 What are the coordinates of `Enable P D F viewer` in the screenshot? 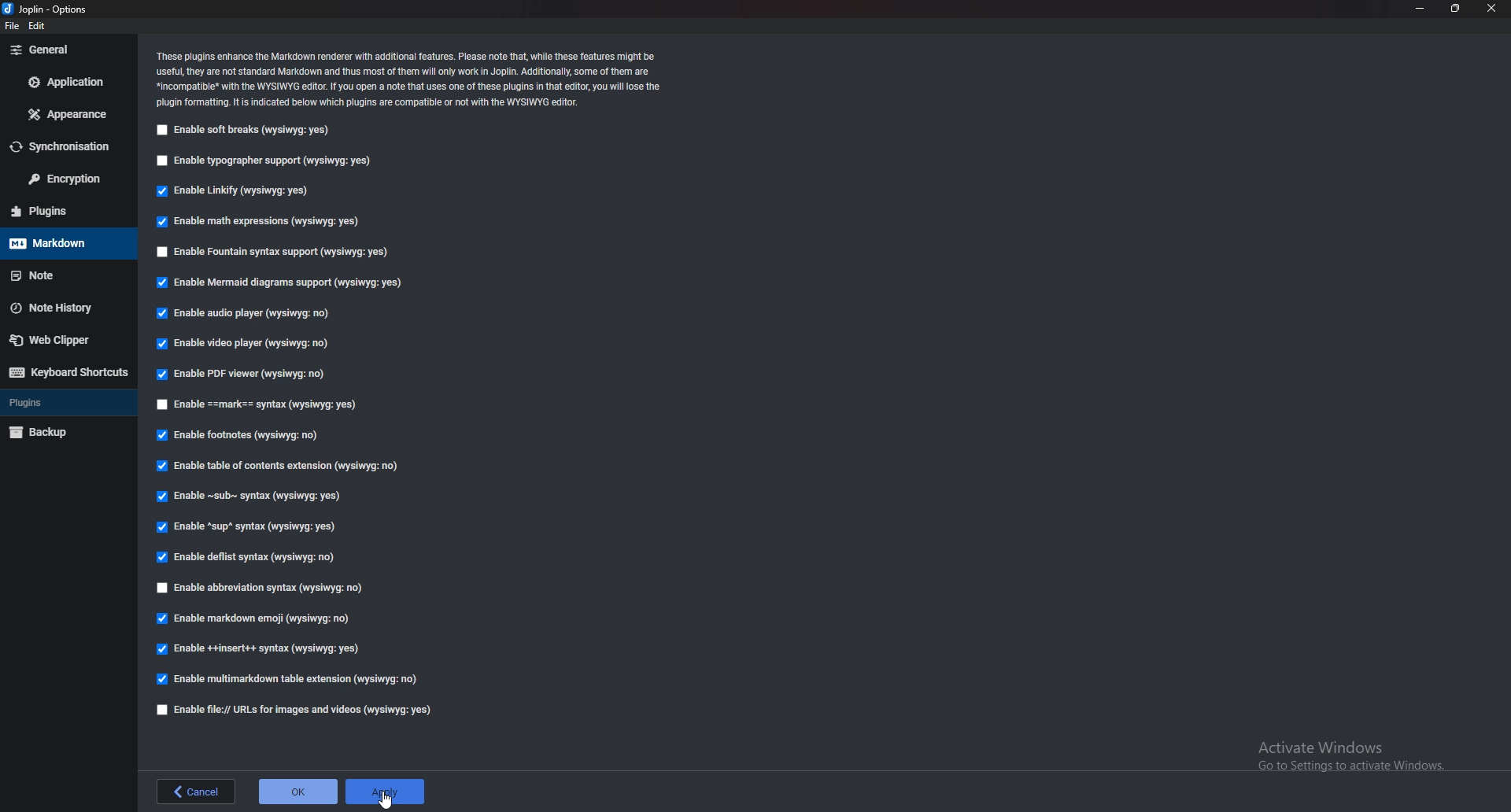 It's located at (239, 374).